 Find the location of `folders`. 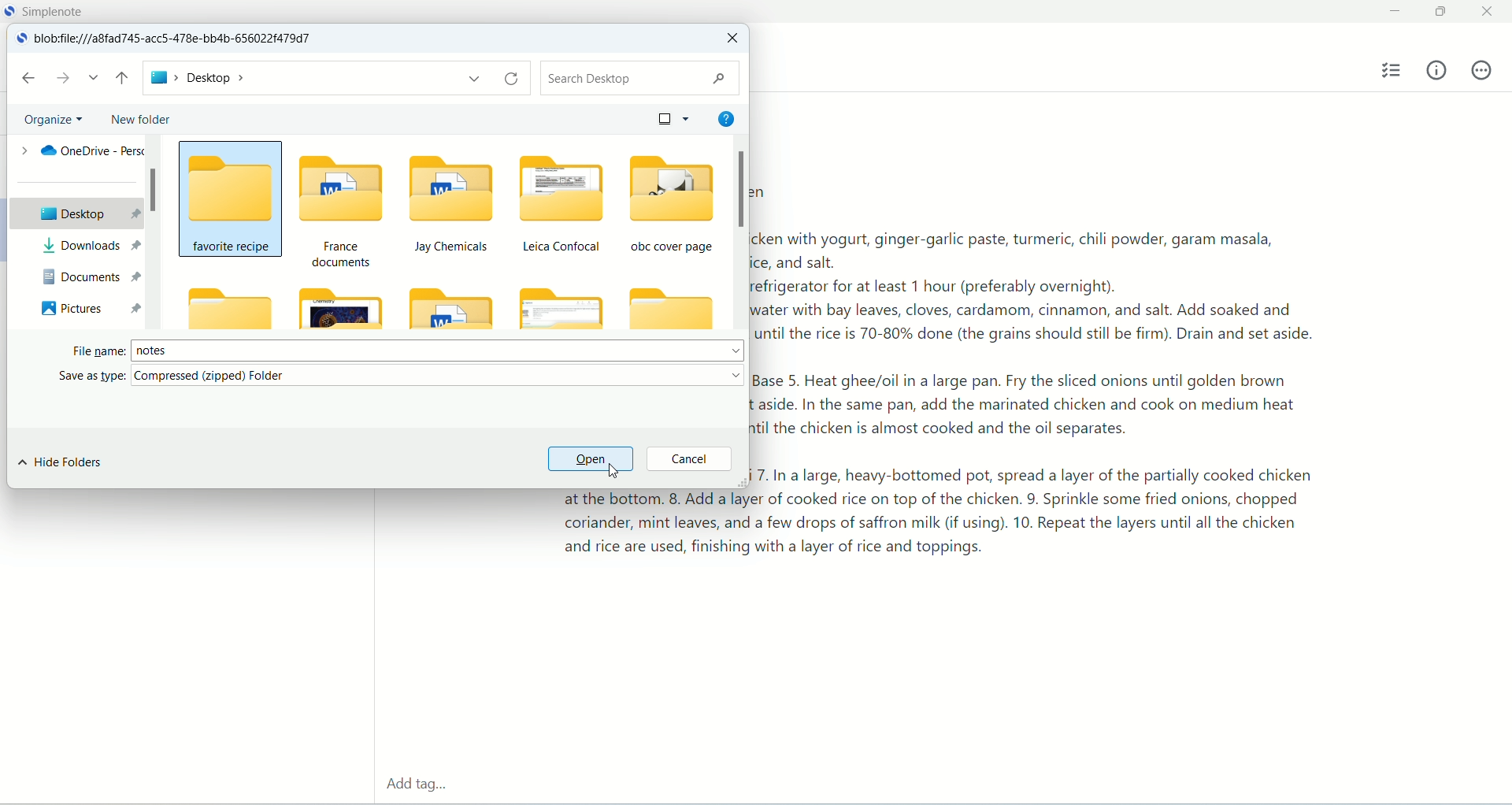

folders is located at coordinates (509, 239).